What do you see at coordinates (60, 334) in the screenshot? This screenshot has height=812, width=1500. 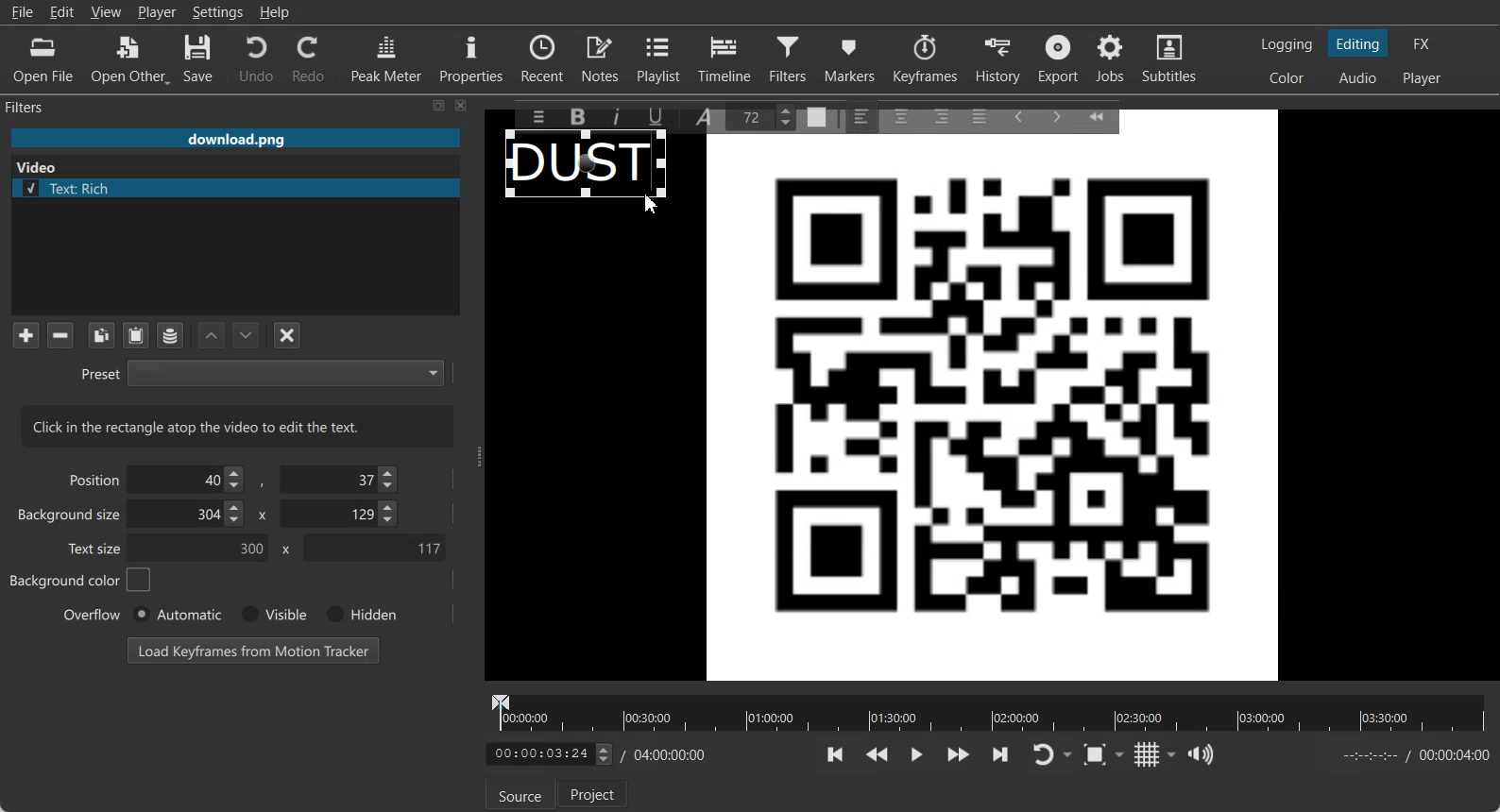 I see `Remove selected Filter` at bounding box center [60, 334].